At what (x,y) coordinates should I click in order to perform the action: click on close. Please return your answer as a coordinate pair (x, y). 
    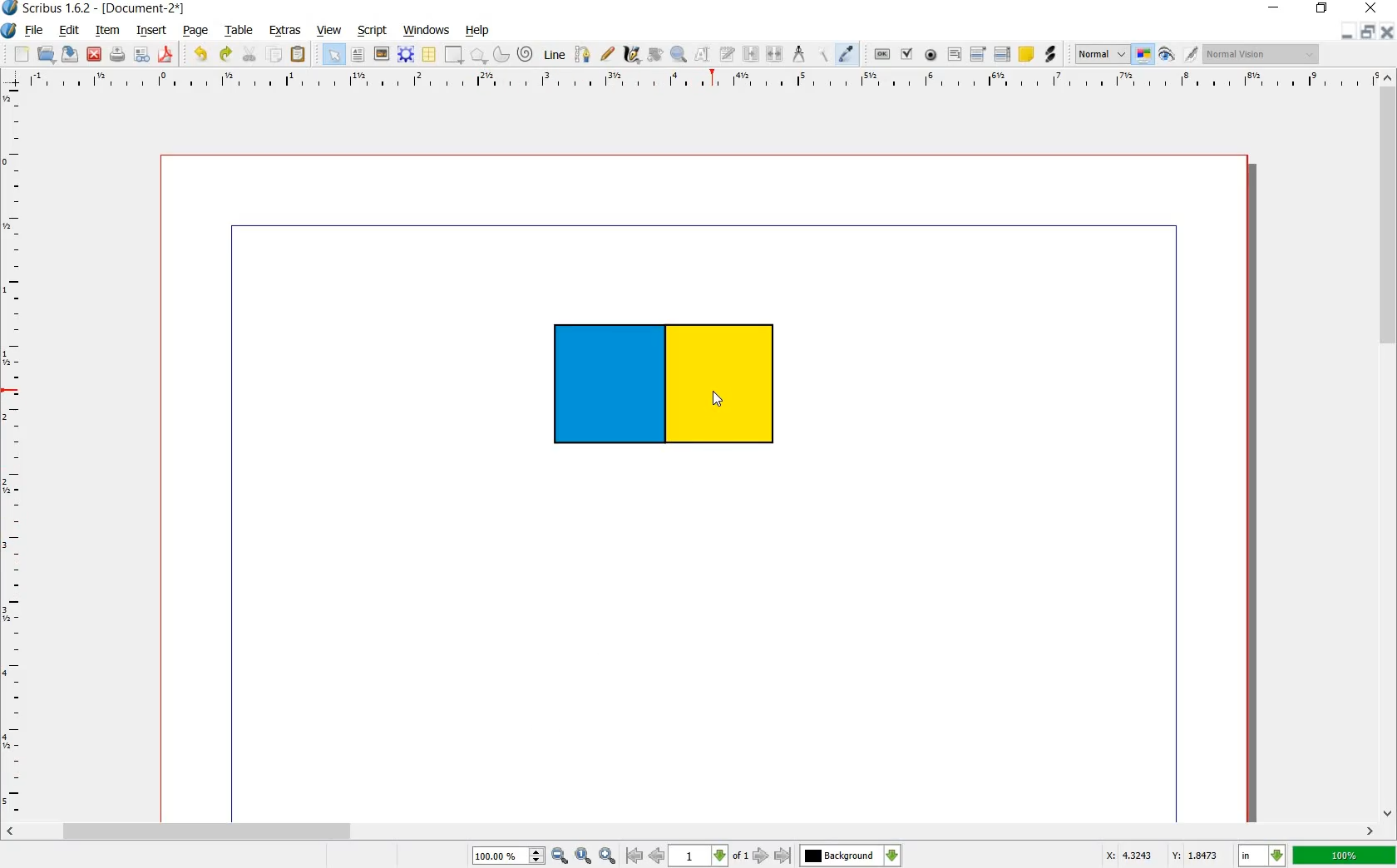
    Looking at the image, I should click on (1389, 32).